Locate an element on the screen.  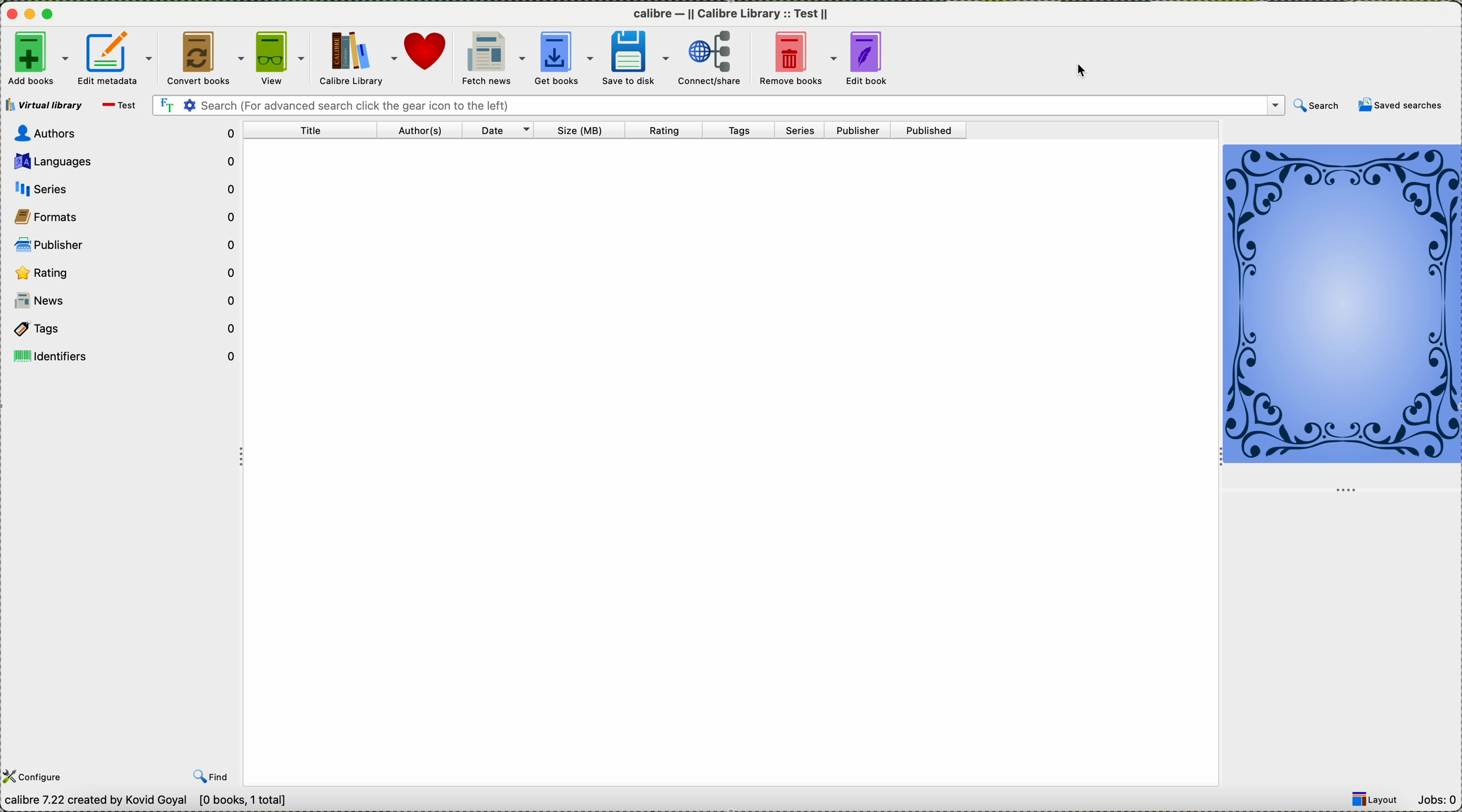
search is located at coordinates (715, 104).